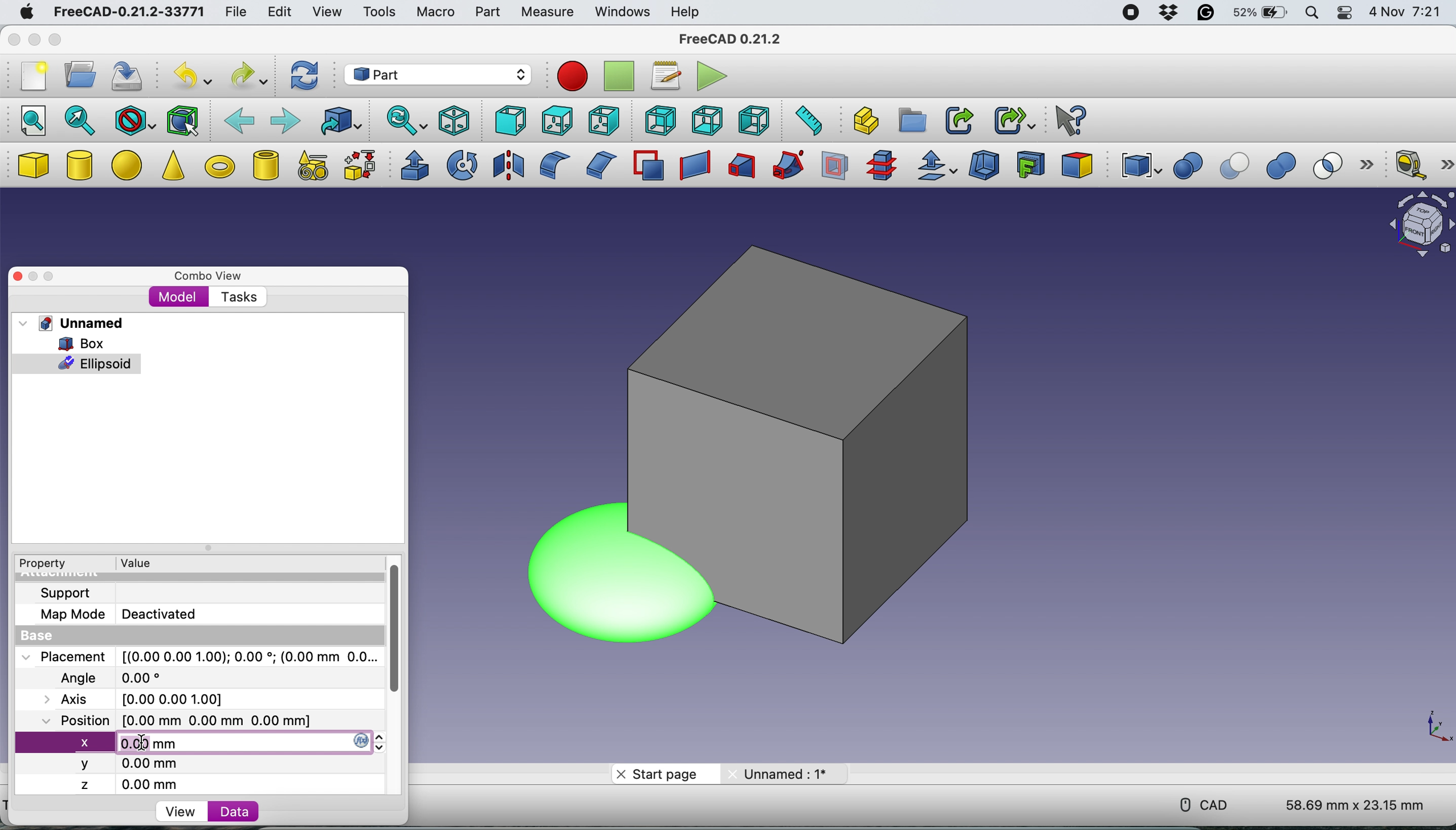  What do you see at coordinates (390, 625) in the screenshot?
I see `vertical scroll bar` at bounding box center [390, 625].